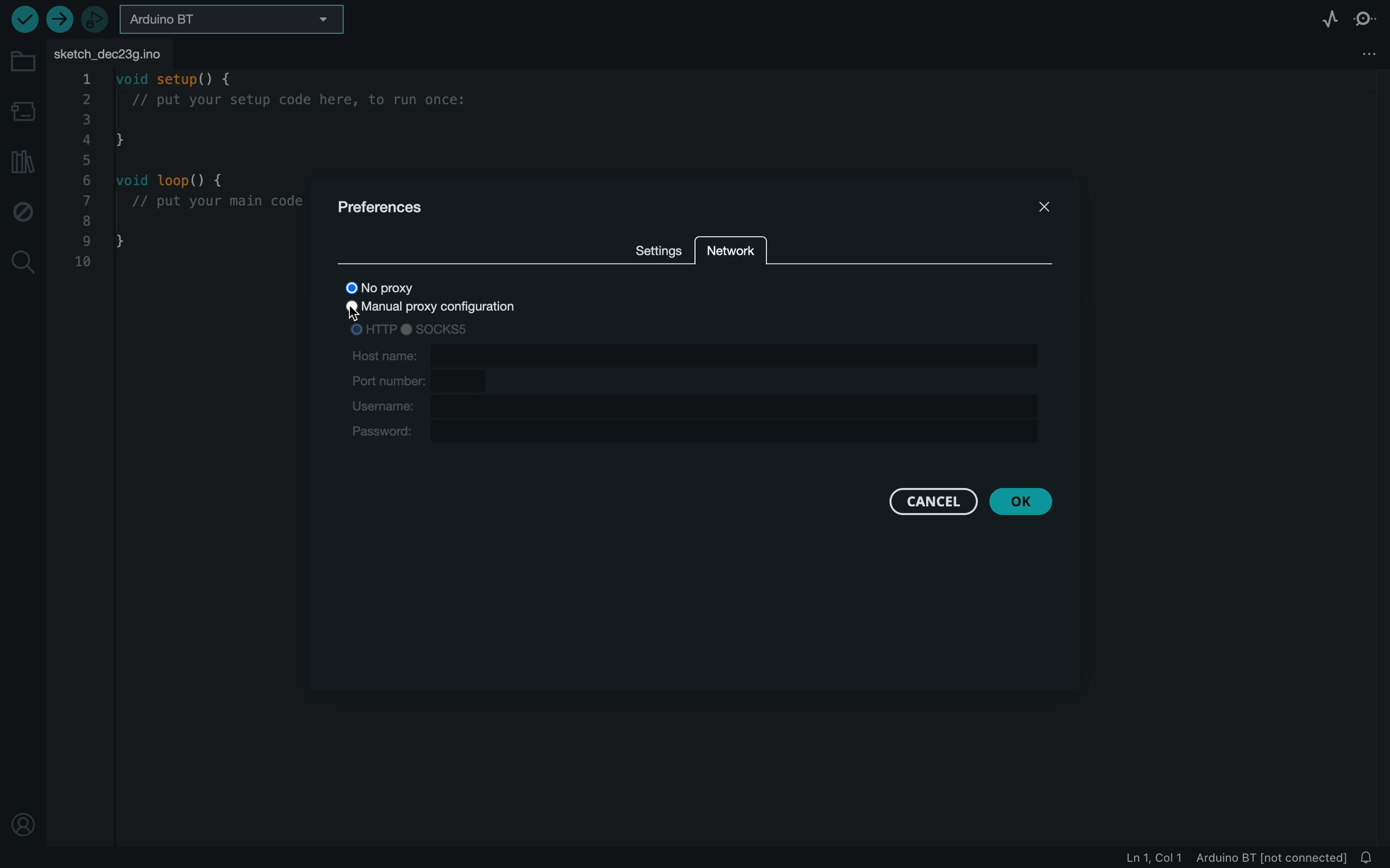  I want to click on sock, so click(440, 330).